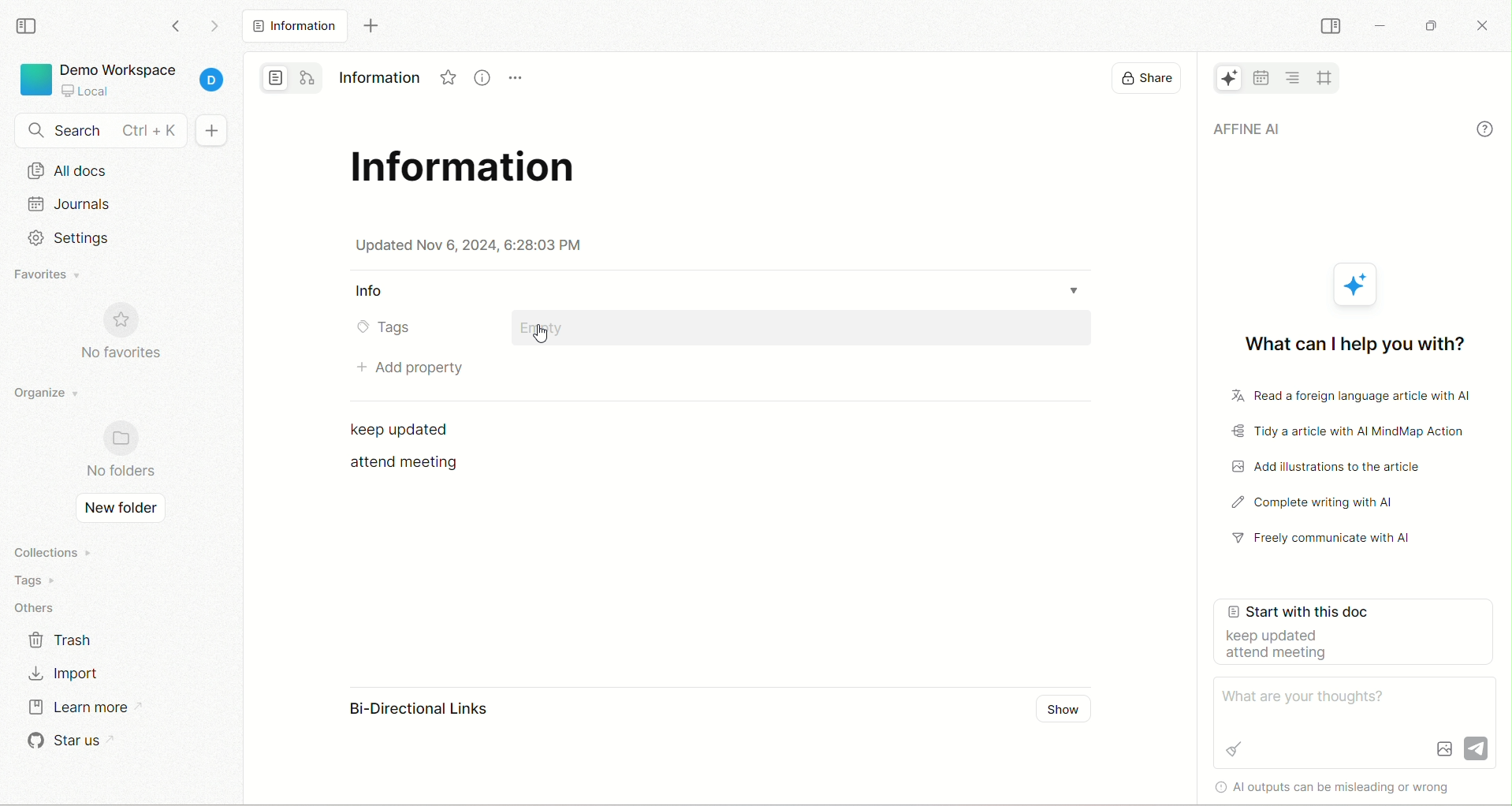  I want to click on all frames, so click(1324, 76).